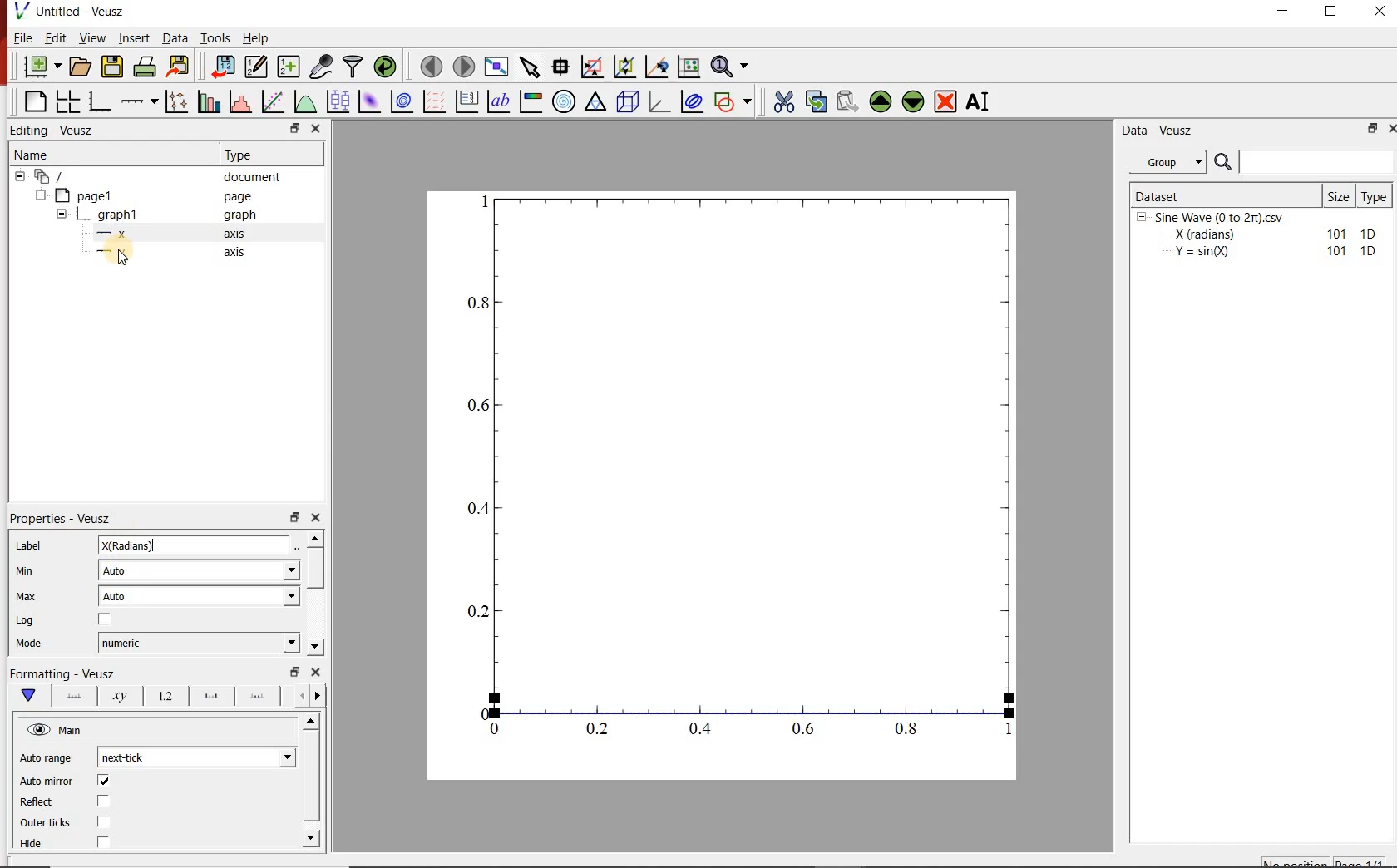 Image resolution: width=1397 pixels, height=868 pixels. What do you see at coordinates (315, 647) in the screenshot?
I see `Down` at bounding box center [315, 647].